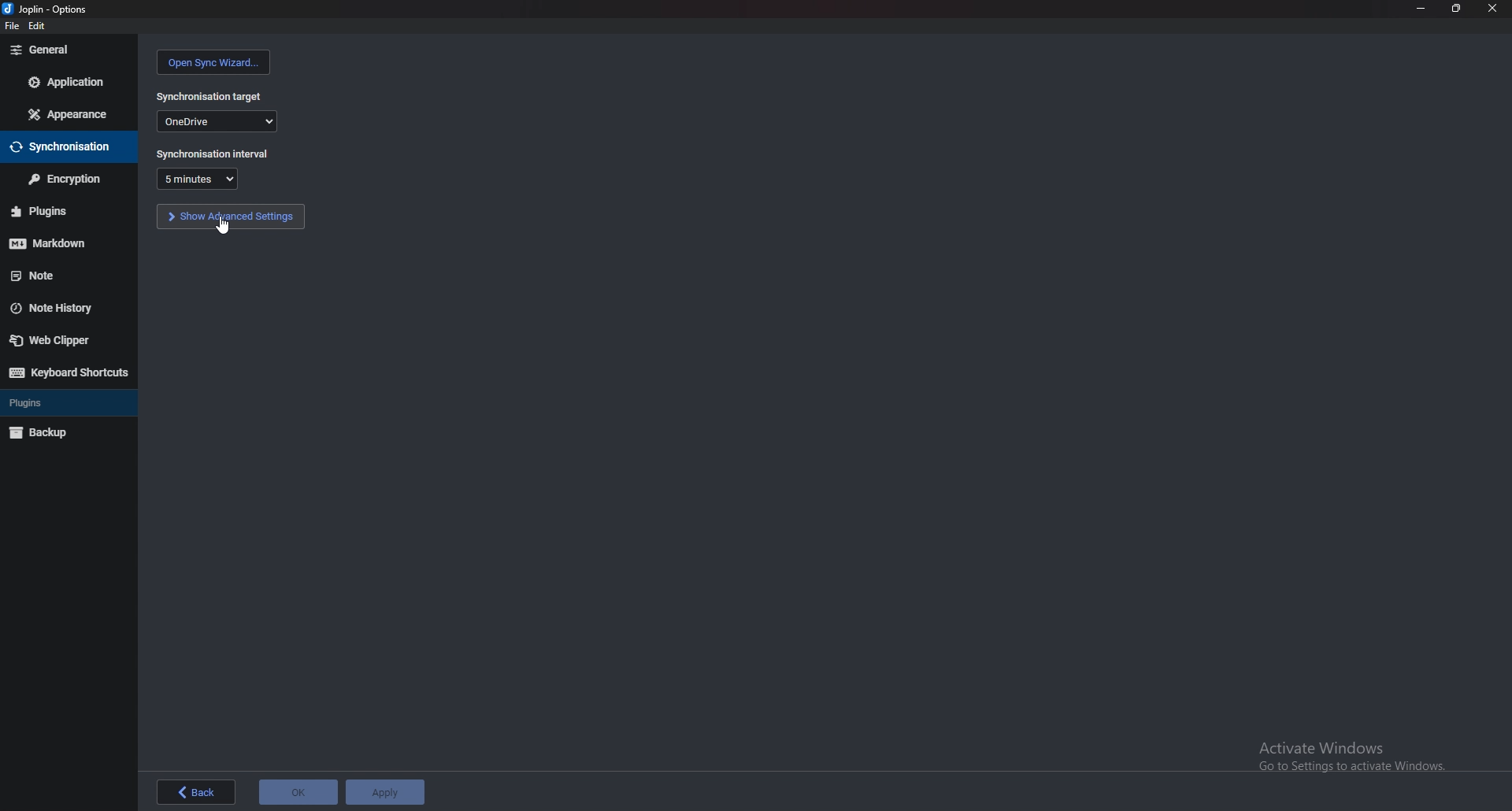 The height and width of the screenshot is (811, 1512). Describe the element at coordinates (60, 308) in the screenshot. I see `note history` at that location.